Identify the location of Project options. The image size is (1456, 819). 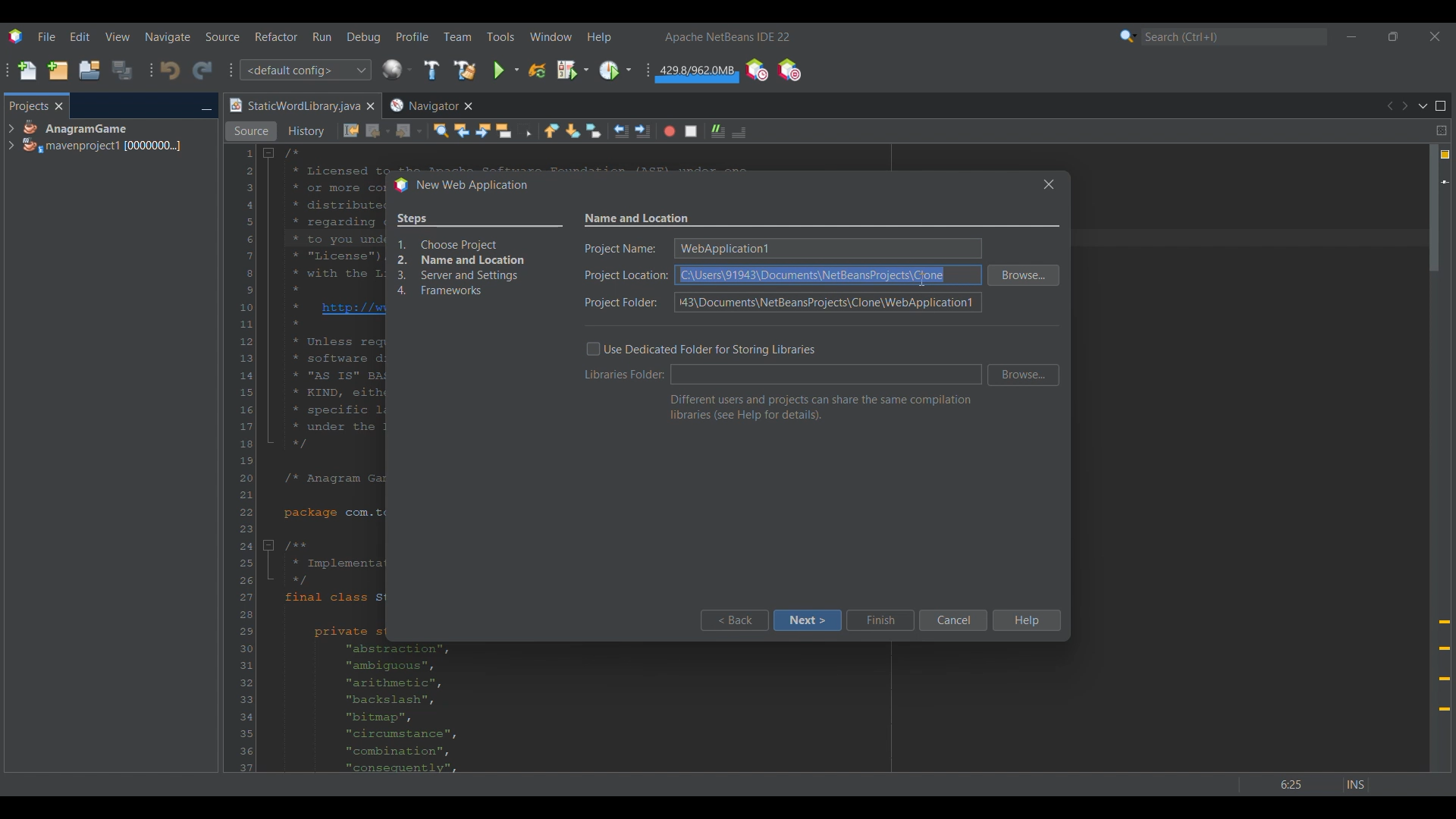
(103, 136).